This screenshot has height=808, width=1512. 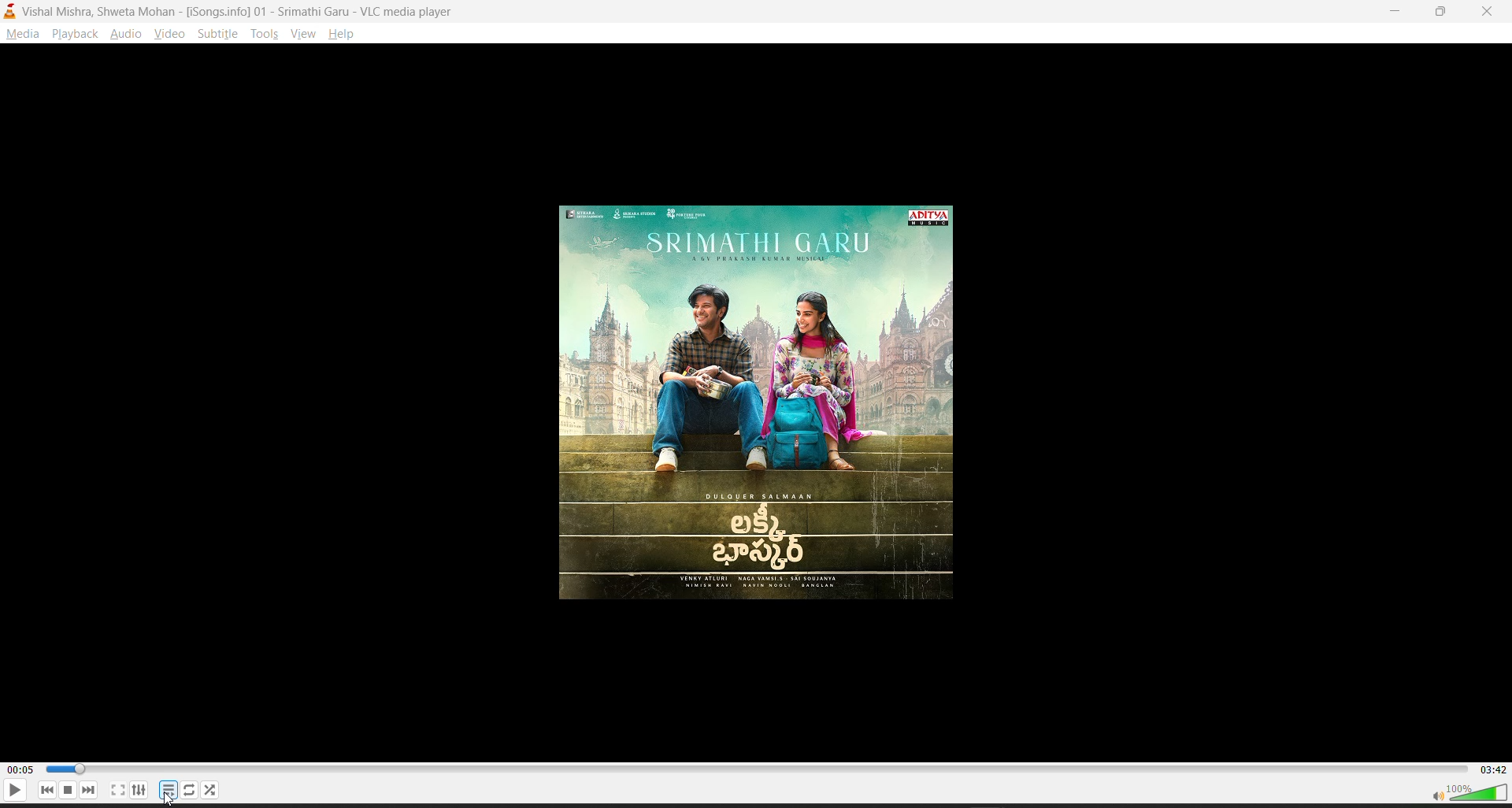 I want to click on vishal mishra, shweta mohan-song info 01-vlc media player, so click(x=243, y=9).